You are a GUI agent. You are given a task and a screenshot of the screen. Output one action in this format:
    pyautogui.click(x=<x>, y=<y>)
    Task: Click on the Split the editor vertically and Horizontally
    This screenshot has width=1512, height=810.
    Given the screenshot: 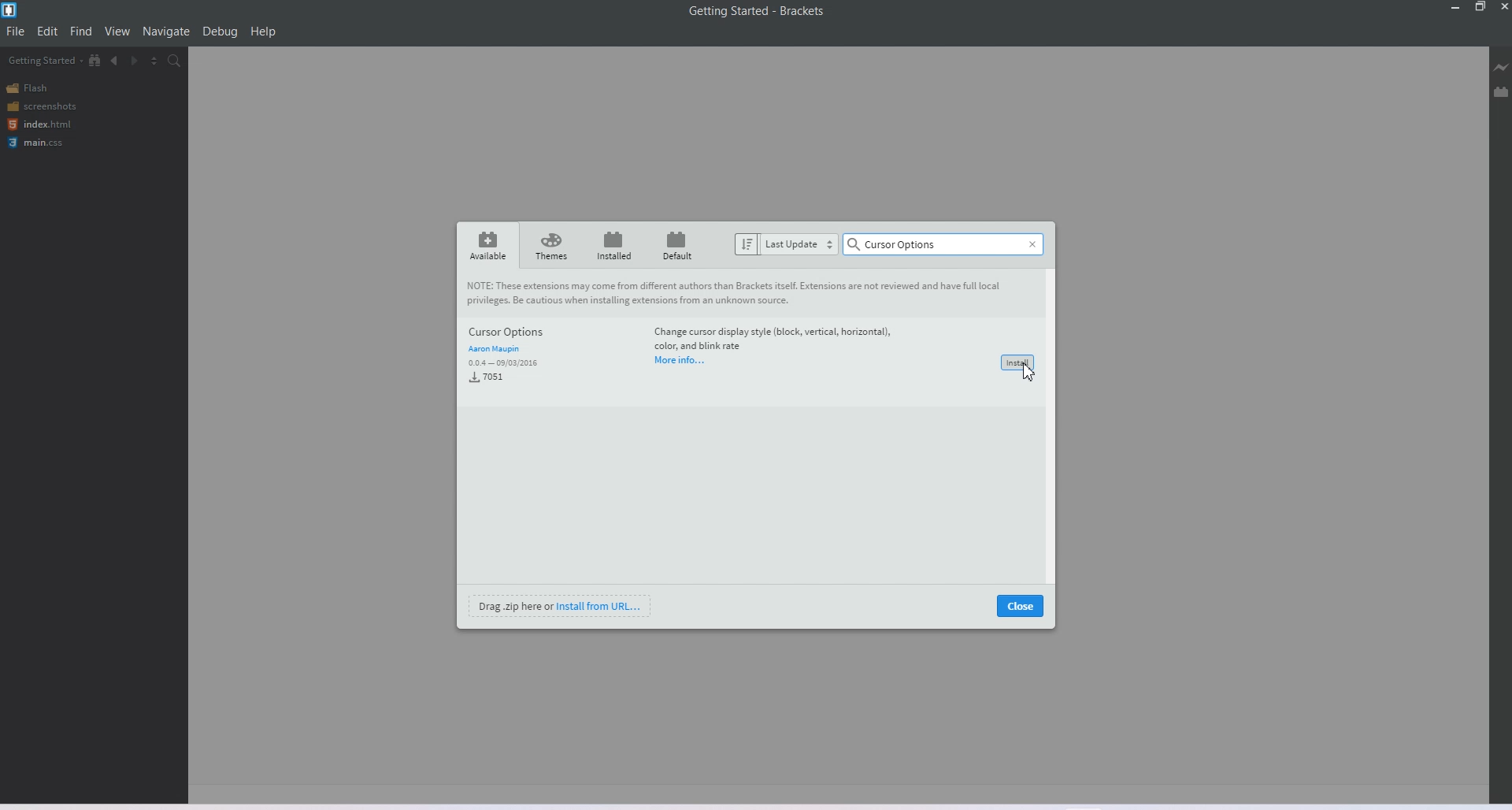 What is the action you would take?
    pyautogui.click(x=154, y=60)
    